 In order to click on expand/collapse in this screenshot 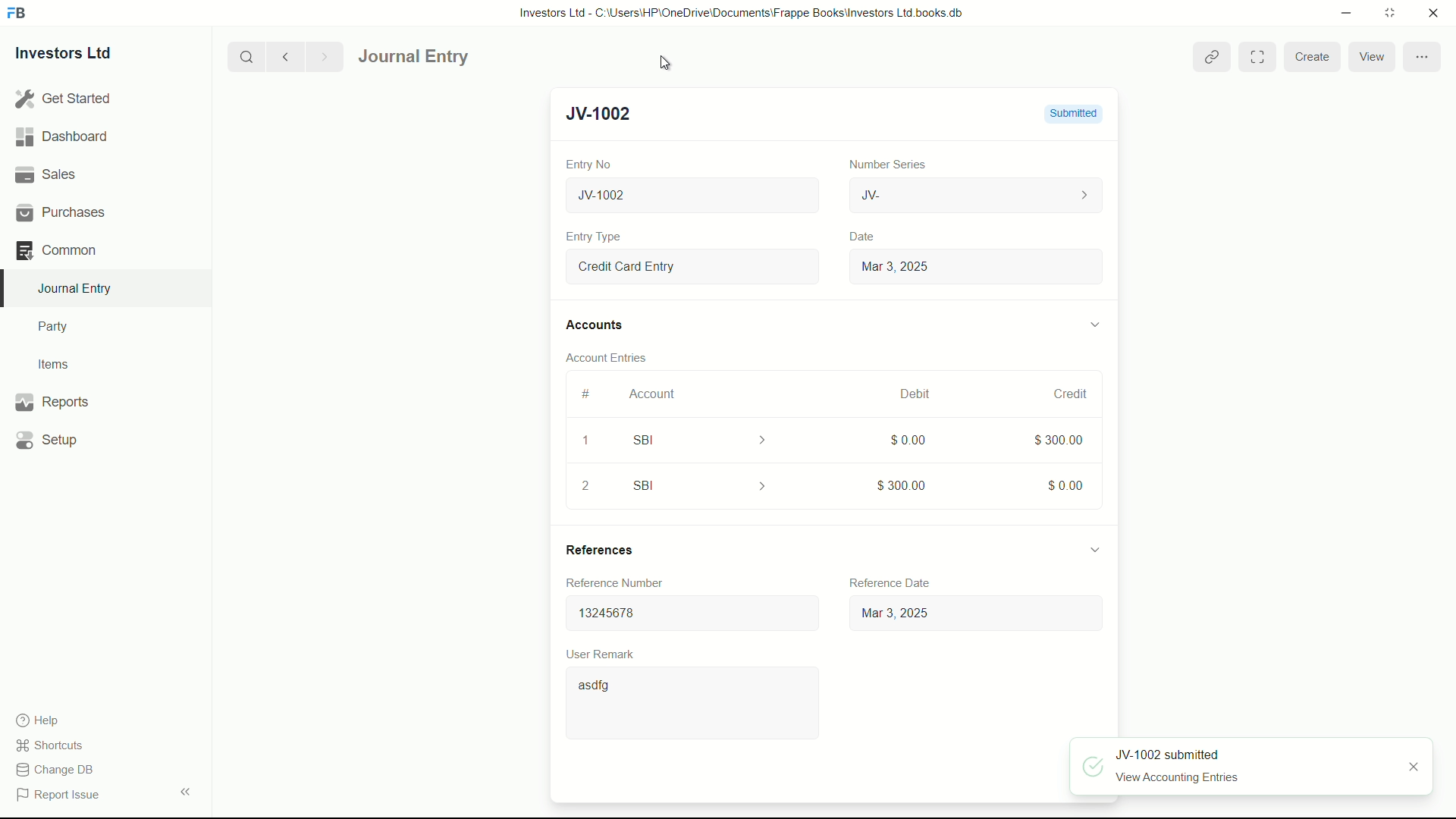, I will do `click(185, 790)`.